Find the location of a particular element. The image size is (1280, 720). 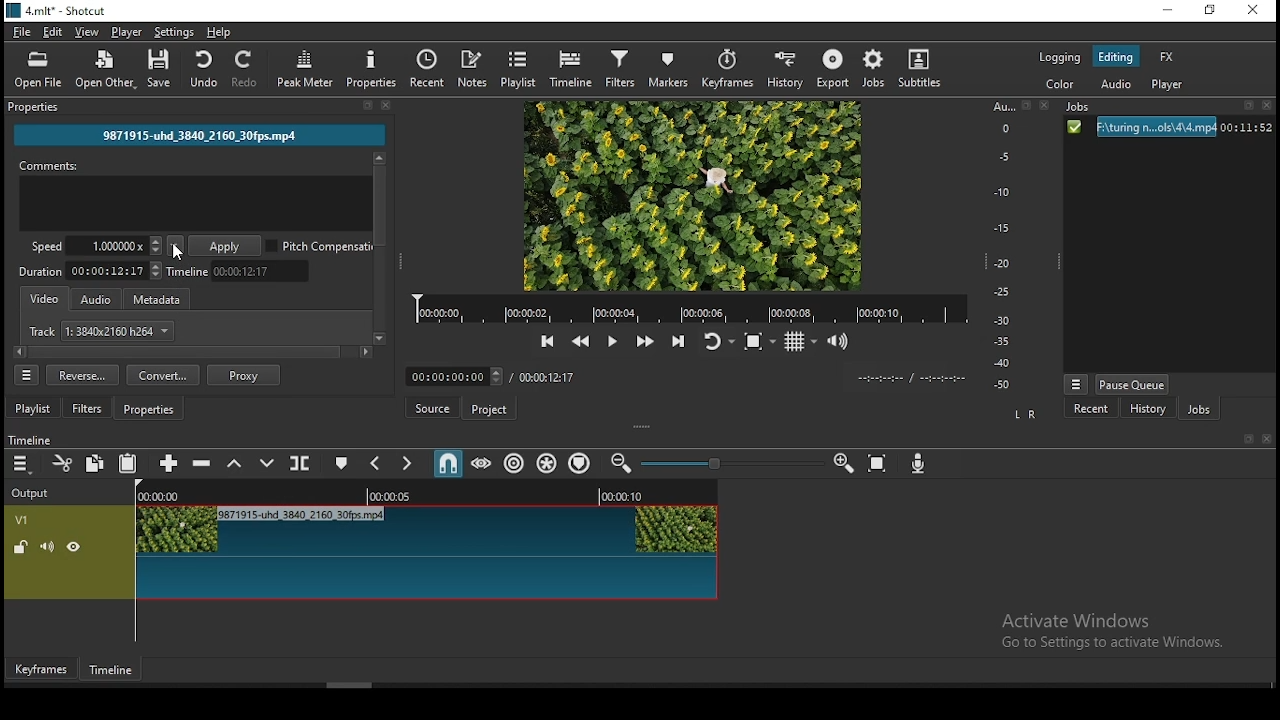

ripple all tracks is located at coordinates (547, 464).